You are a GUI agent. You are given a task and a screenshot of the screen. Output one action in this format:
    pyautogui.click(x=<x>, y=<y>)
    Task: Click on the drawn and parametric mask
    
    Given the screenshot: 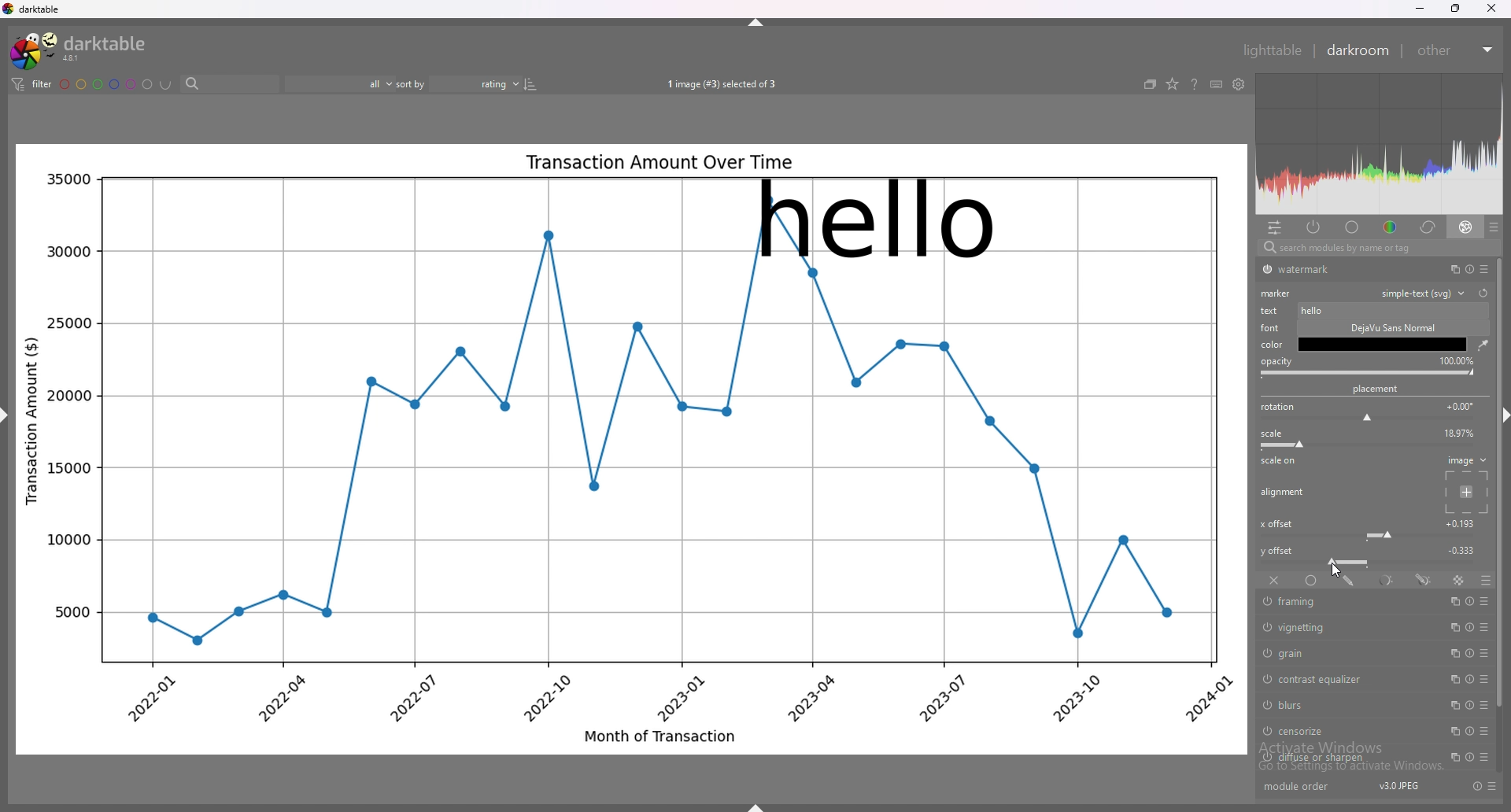 What is the action you would take?
    pyautogui.click(x=1425, y=580)
    